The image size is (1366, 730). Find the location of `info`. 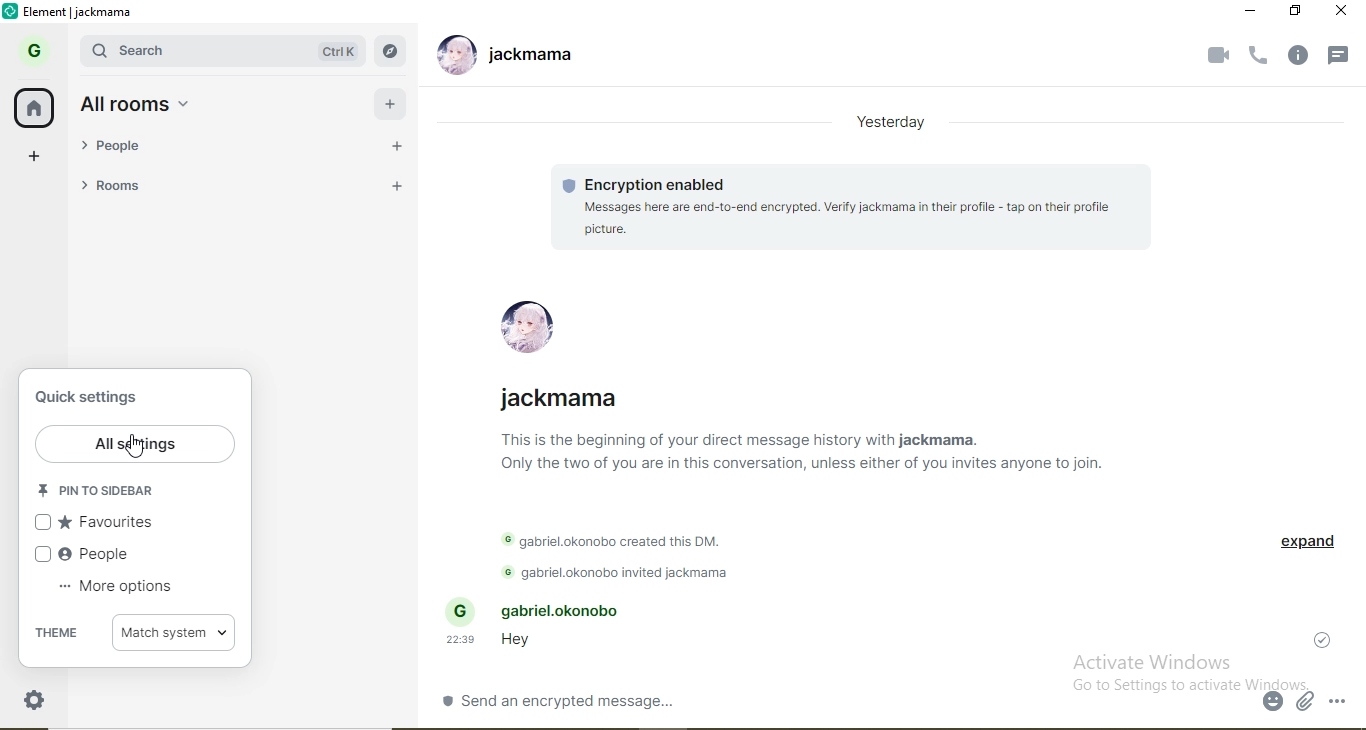

info is located at coordinates (1303, 56).